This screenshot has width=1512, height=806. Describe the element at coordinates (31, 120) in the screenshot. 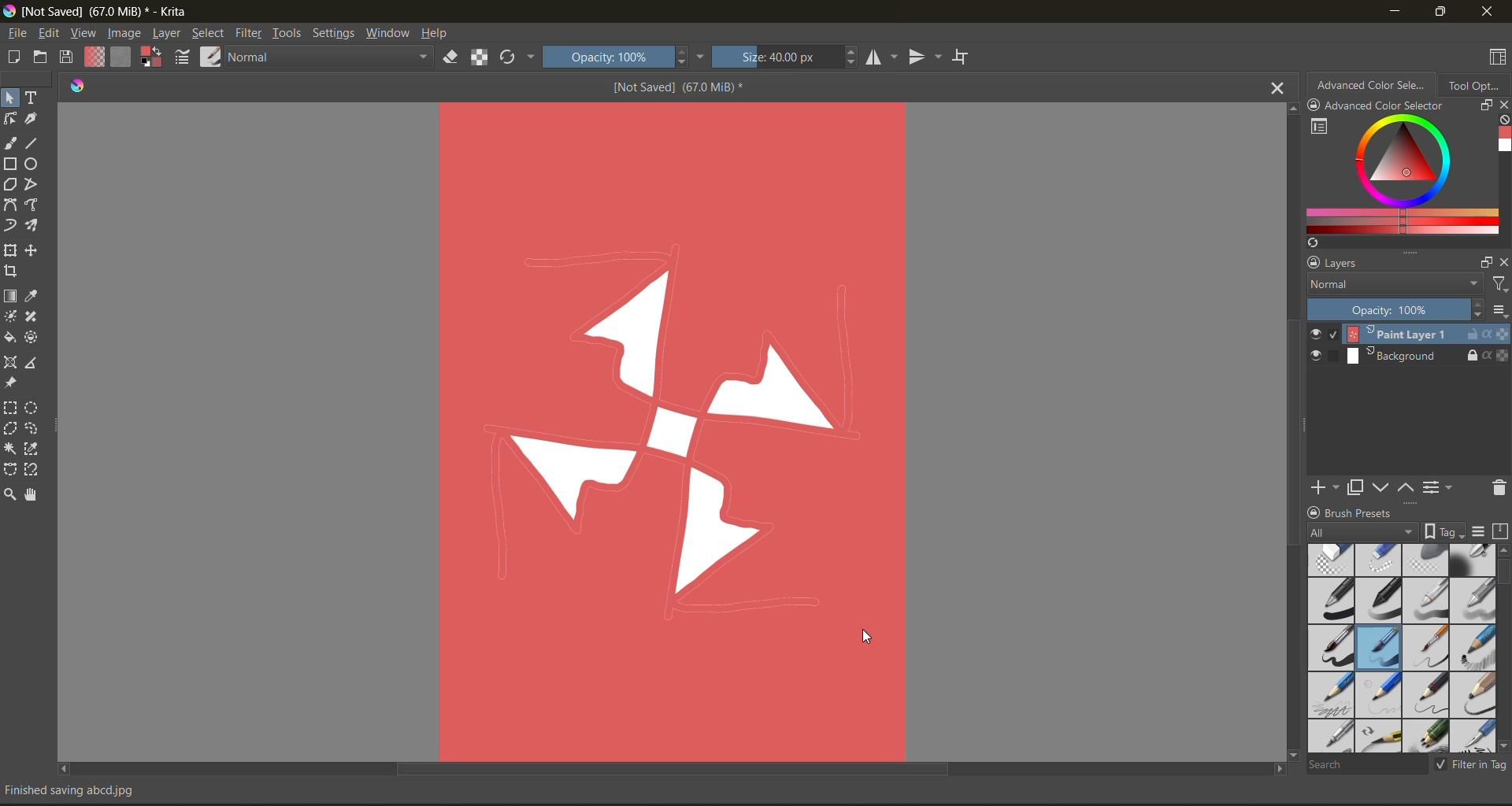

I see `tools` at that location.